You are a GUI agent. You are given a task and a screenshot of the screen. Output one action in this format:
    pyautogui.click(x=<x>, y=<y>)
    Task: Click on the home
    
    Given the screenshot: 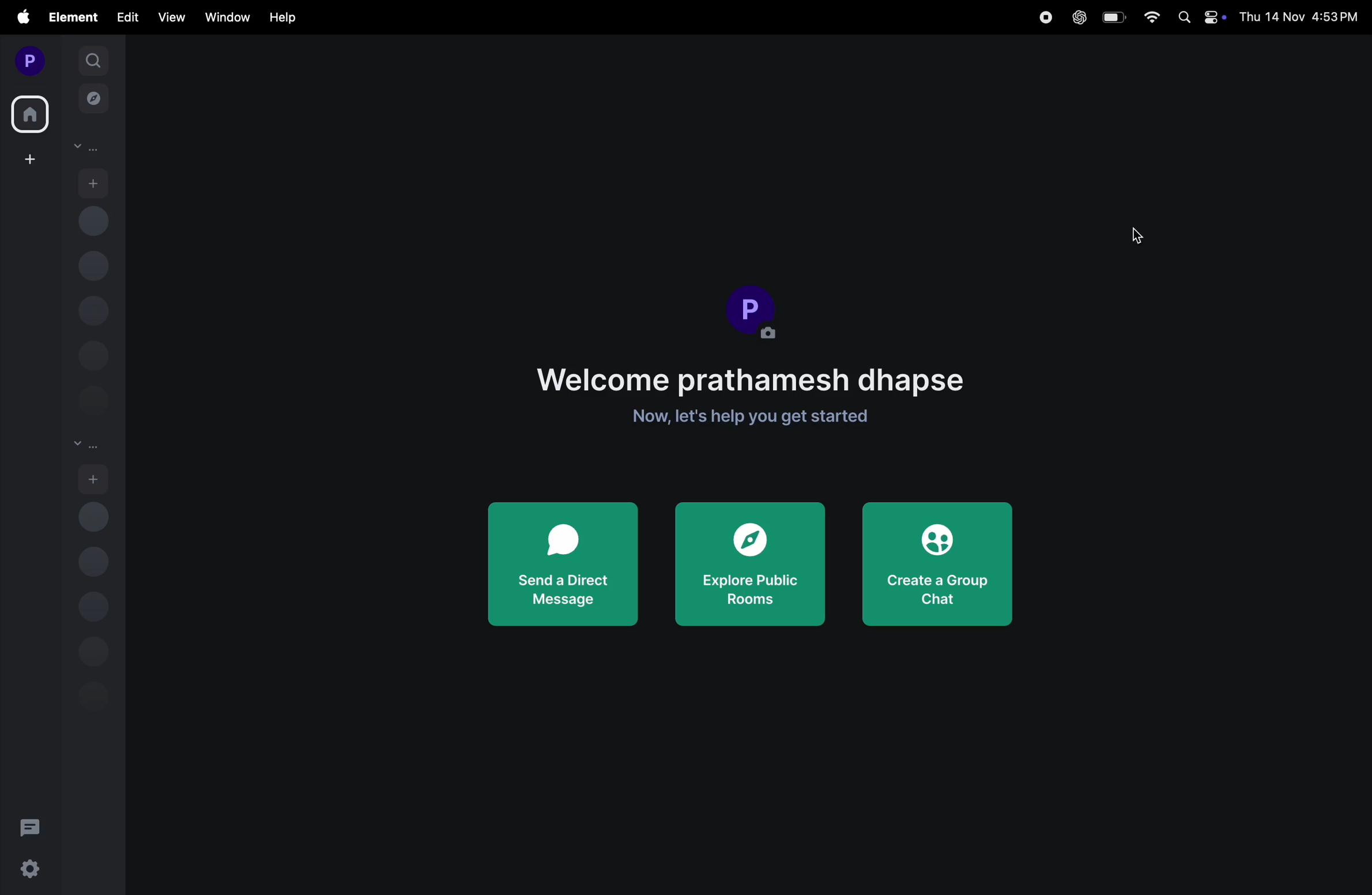 What is the action you would take?
    pyautogui.click(x=31, y=113)
    